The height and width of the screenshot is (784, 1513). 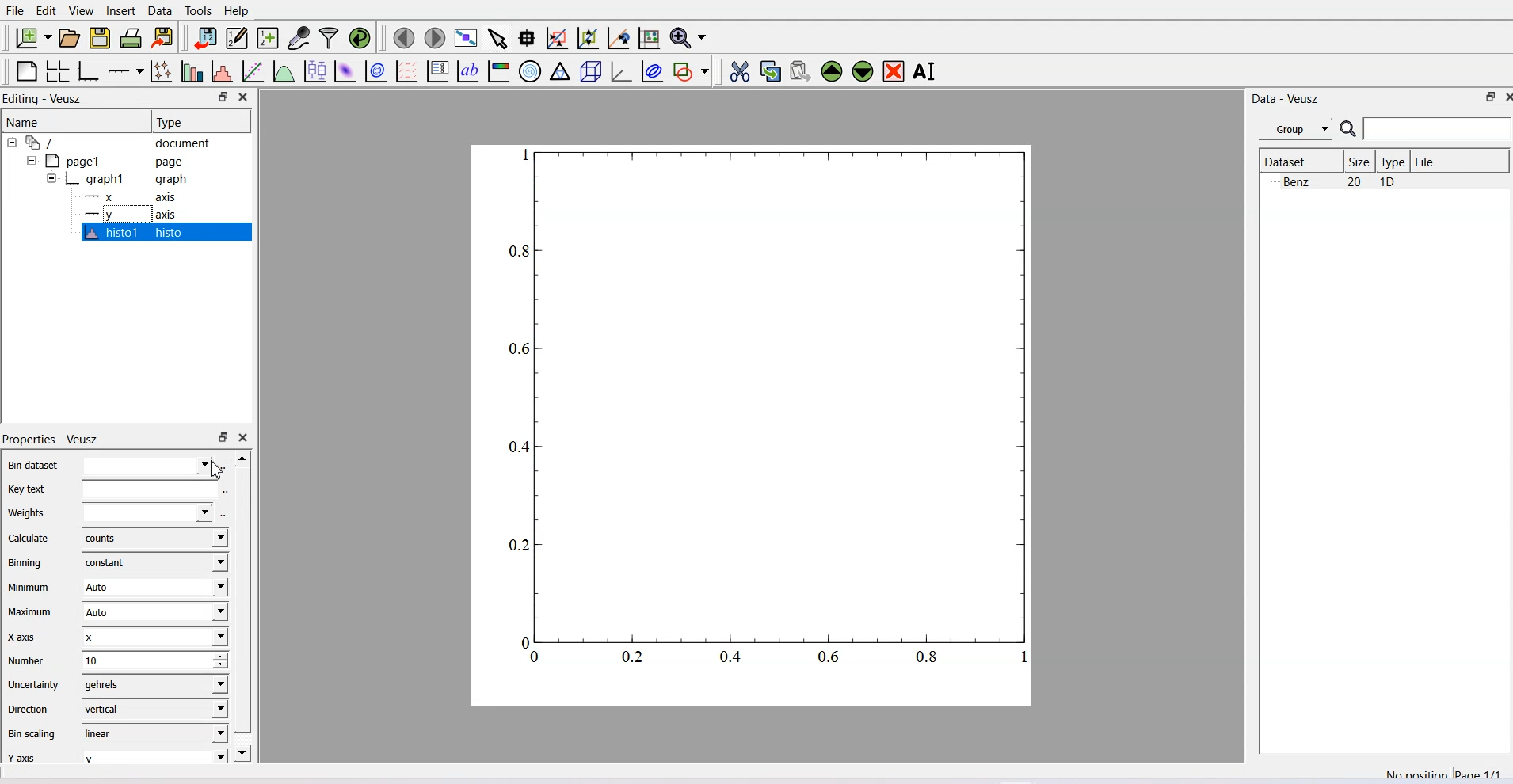 What do you see at coordinates (223, 97) in the screenshot?
I see `Maximize` at bounding box center [223, 97].